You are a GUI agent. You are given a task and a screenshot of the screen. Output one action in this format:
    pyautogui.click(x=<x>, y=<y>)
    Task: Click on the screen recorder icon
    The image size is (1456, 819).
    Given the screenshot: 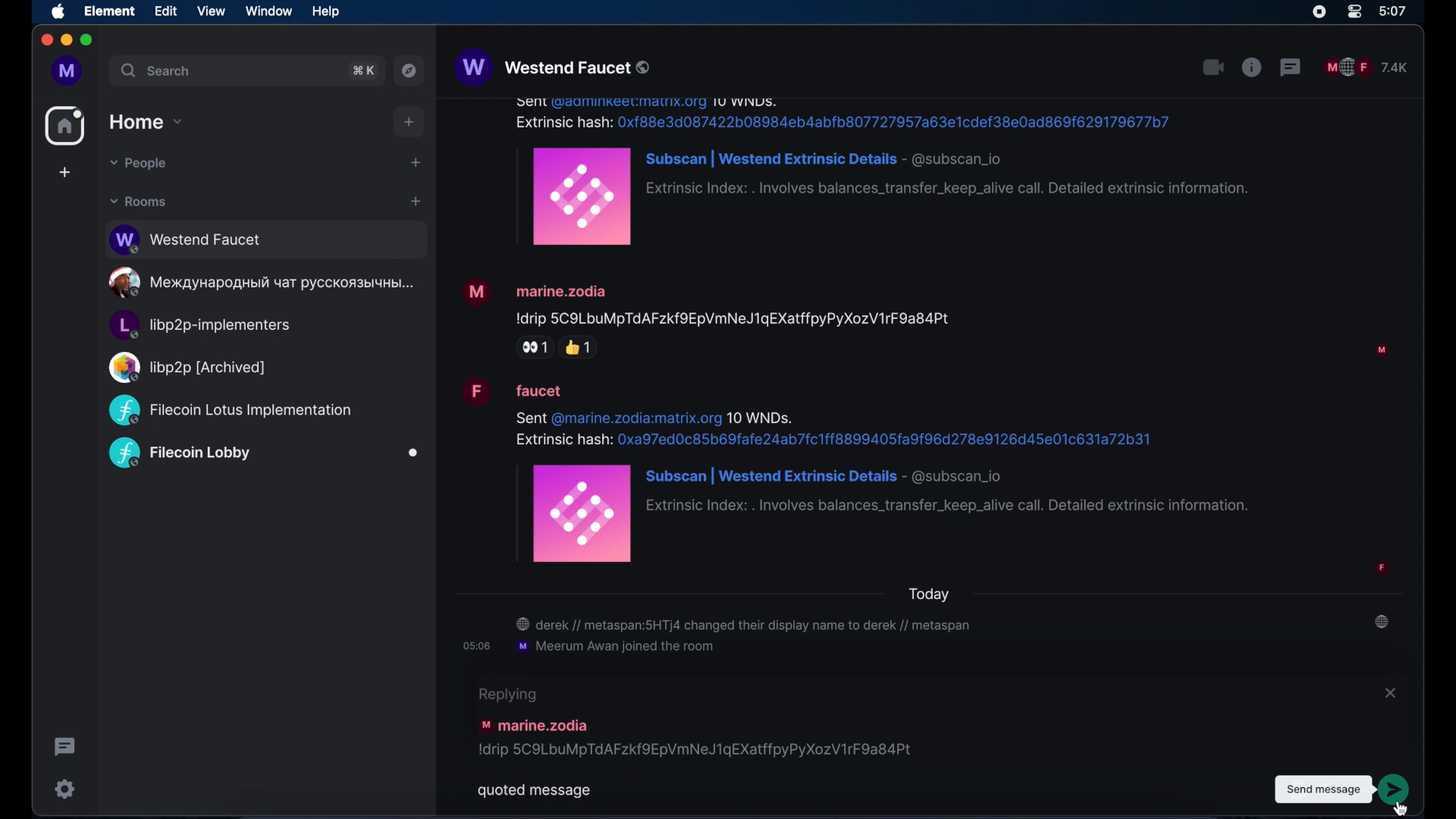 What is the action you would take?
    pyautogui.click(x=1319, y=12)
    